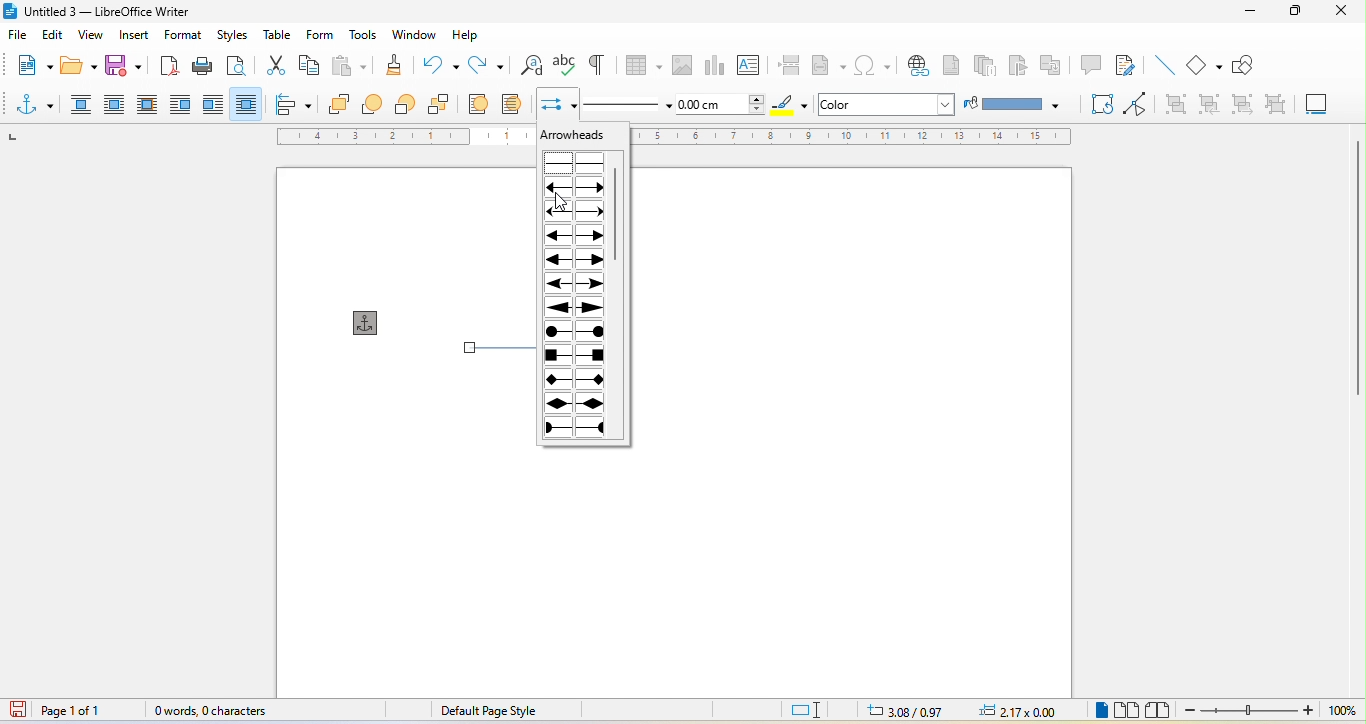 The height and width of the screenshot is (724, 1366). What do you see at coordinates (578, 259) in the screenshot?
I see `triangle` at bounding box center [578, 259].